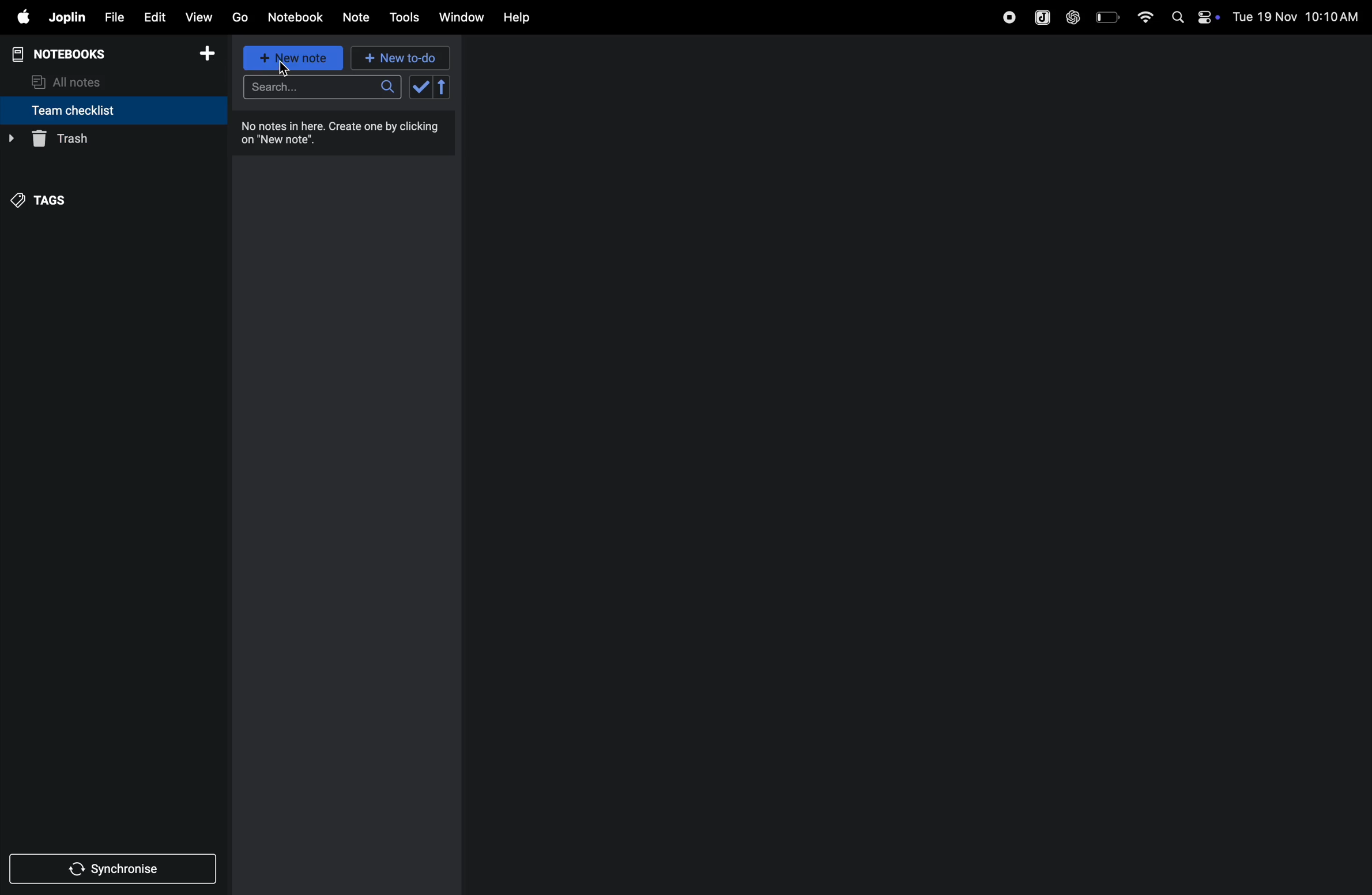  Describe the element at coordinates (109, 139) in the screenshot. I see `trash` at that location.